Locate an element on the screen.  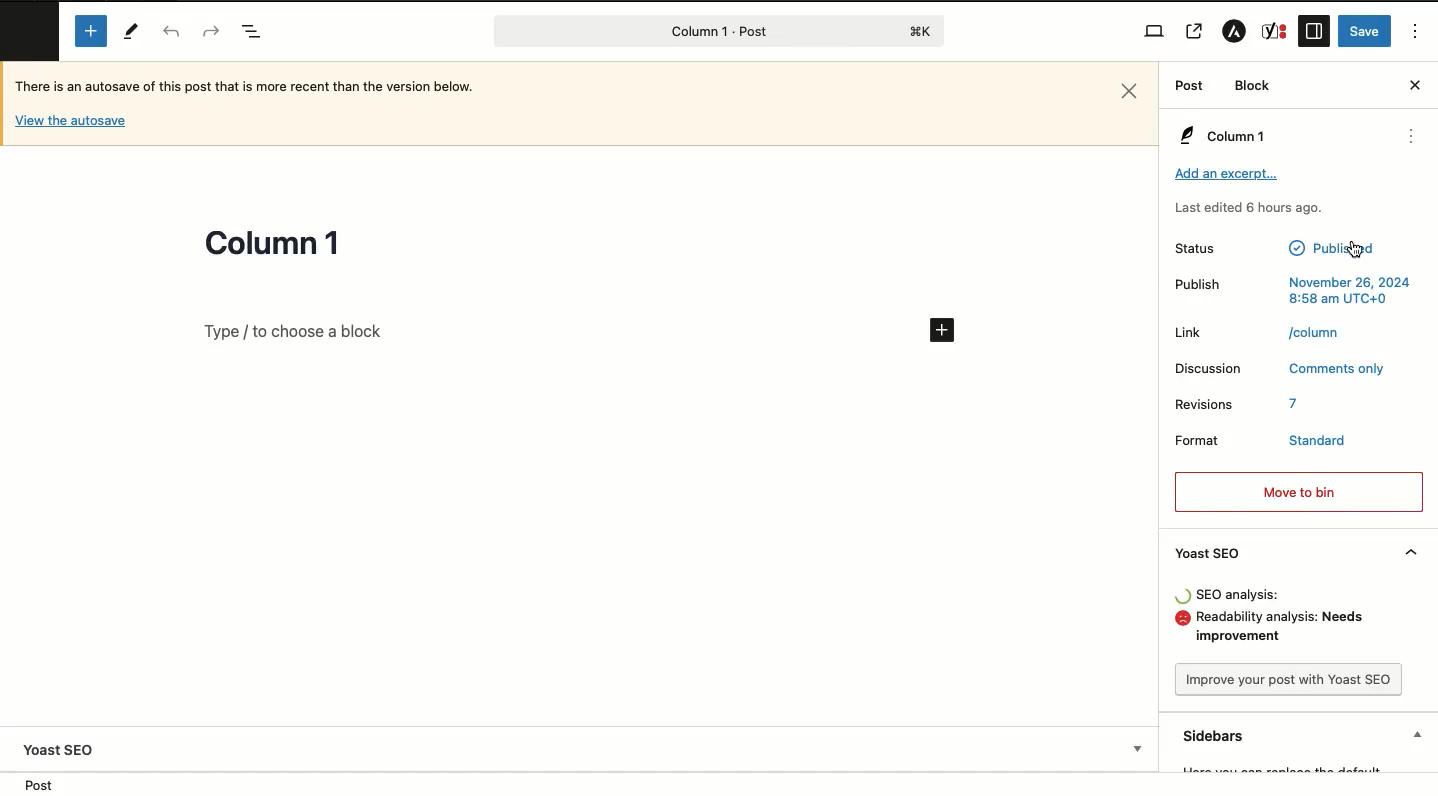
View post is located at coordinates (1195, 33).